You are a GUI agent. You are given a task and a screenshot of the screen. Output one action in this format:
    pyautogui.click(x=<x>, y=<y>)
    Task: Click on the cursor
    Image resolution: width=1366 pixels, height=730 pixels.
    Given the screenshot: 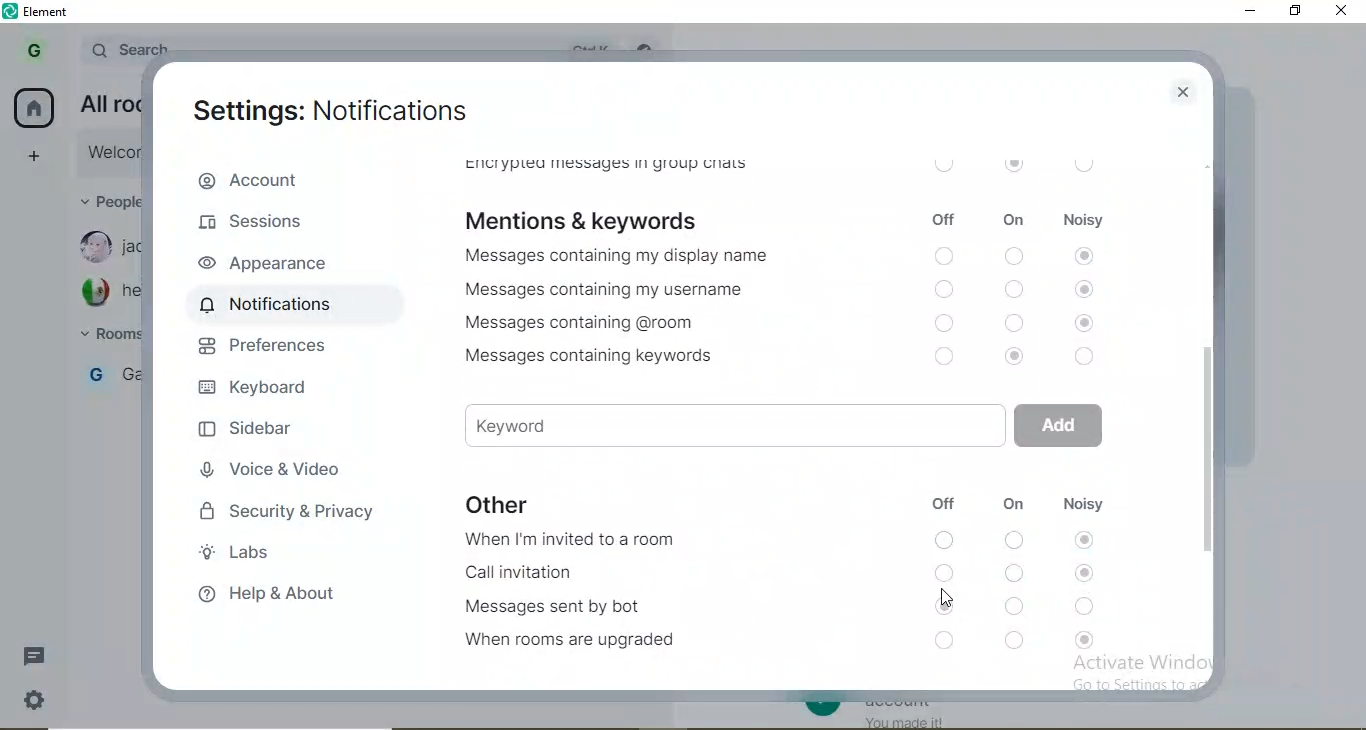 What is the action you would take?
    pyautogui.click(x=947, y=599)
    